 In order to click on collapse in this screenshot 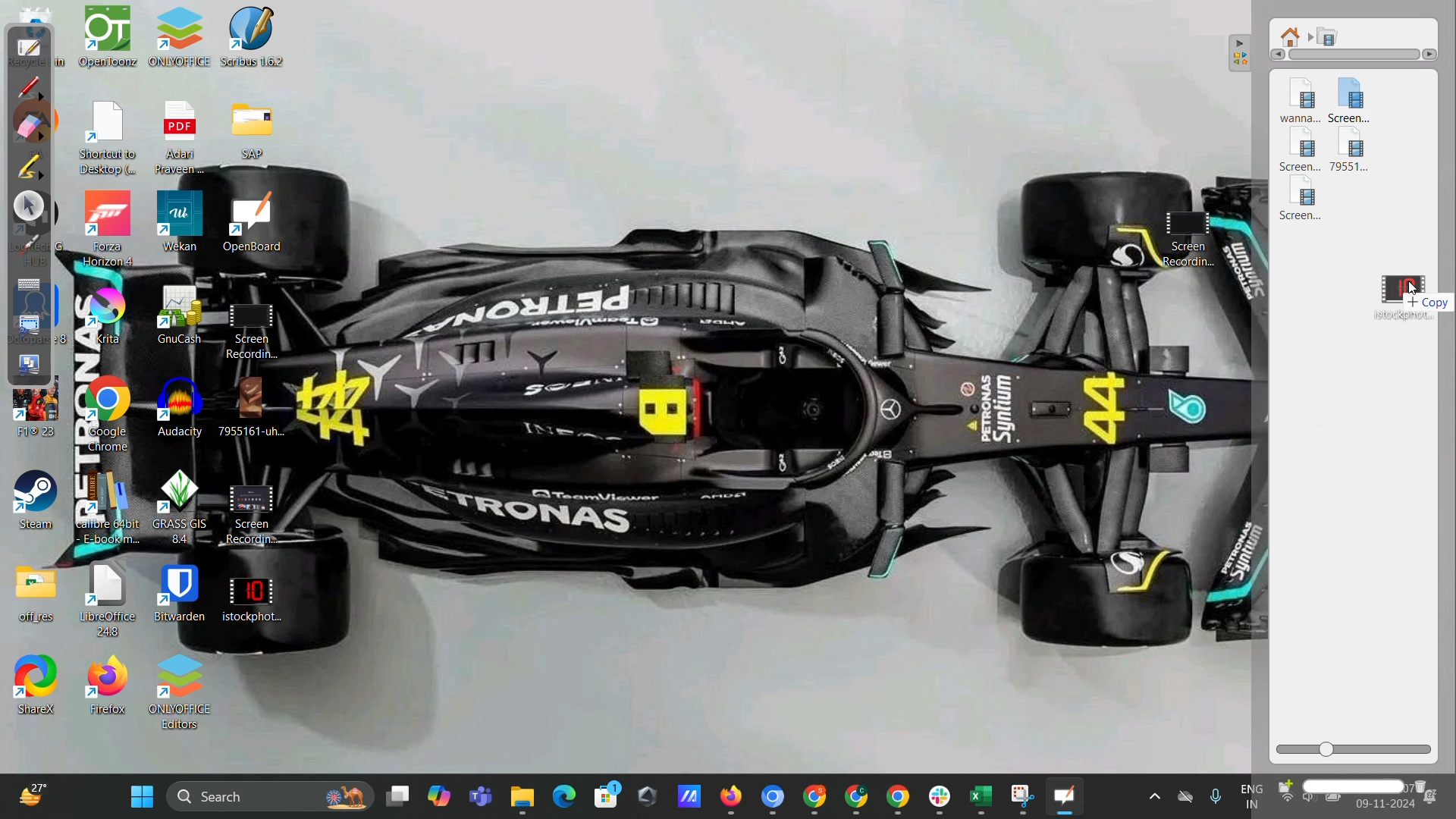, I will do `click(1245, 52)`.